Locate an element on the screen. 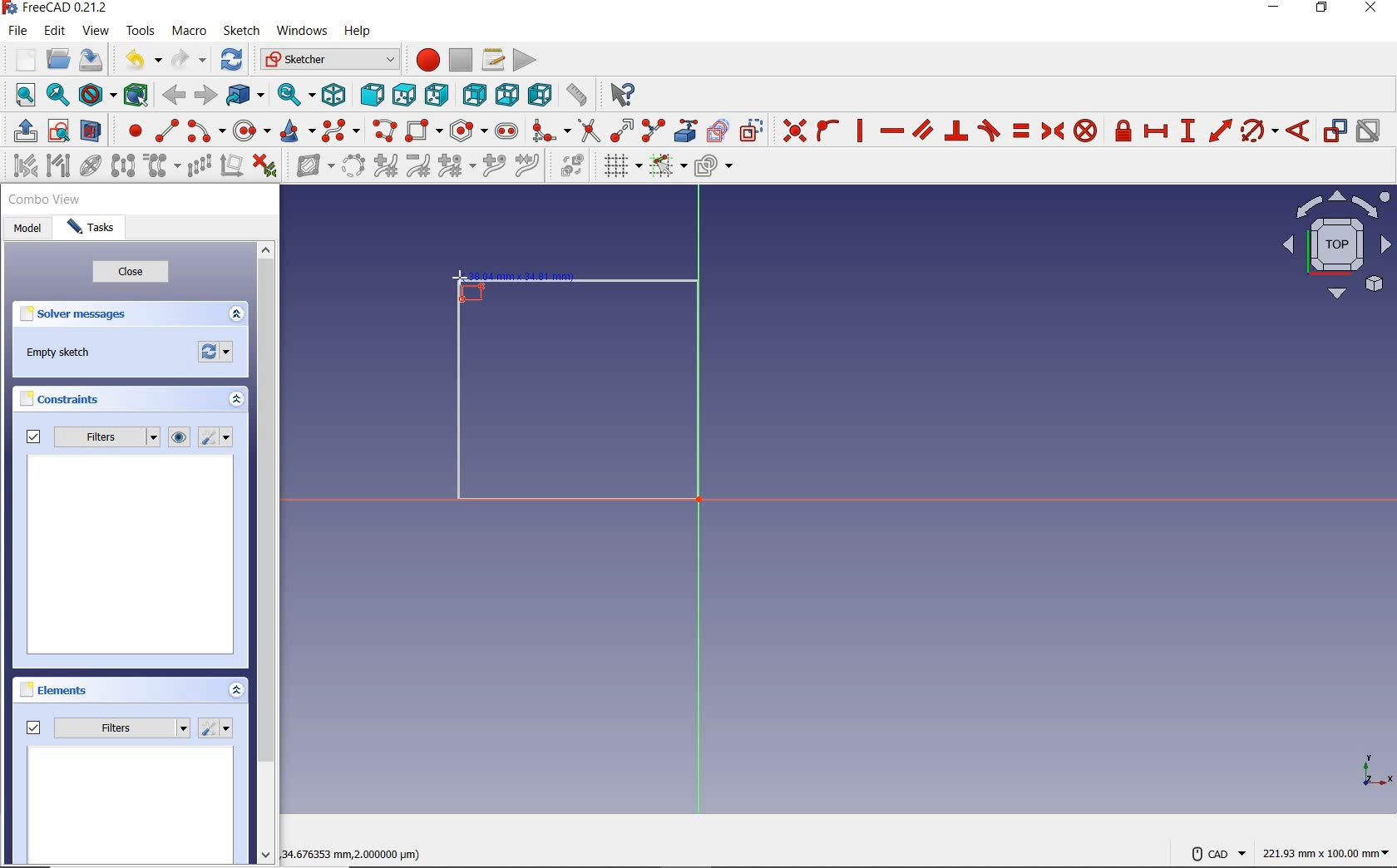 Image resolution: width=1397 pixels, height=868 pixels. constrain horizontally is located at coordinates (891, 131).